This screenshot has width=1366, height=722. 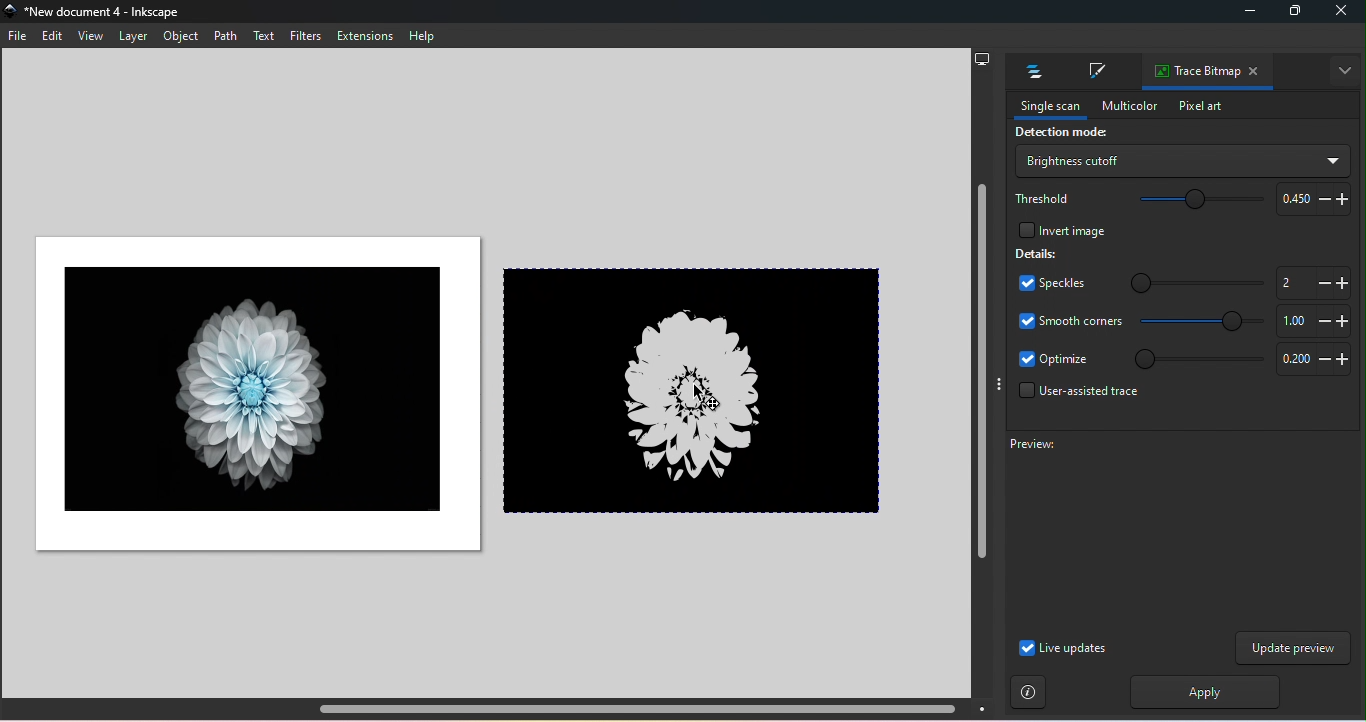 What do you see at coordinates (1060, 228) in the screenshot?
I see `Invert image` at bounding box center [1060, 228].